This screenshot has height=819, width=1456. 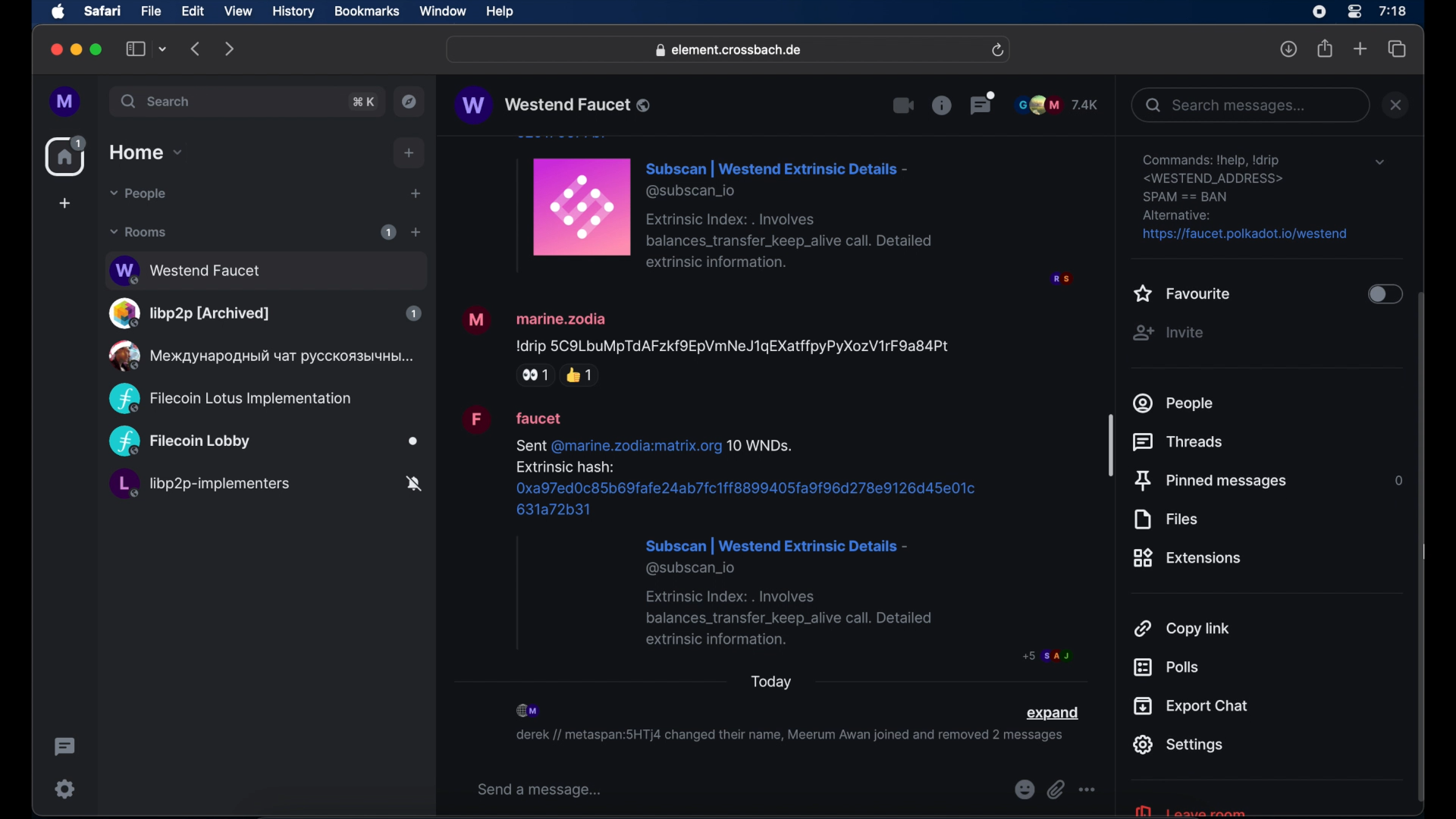 I want to click on view, so click(x=237, y=11).